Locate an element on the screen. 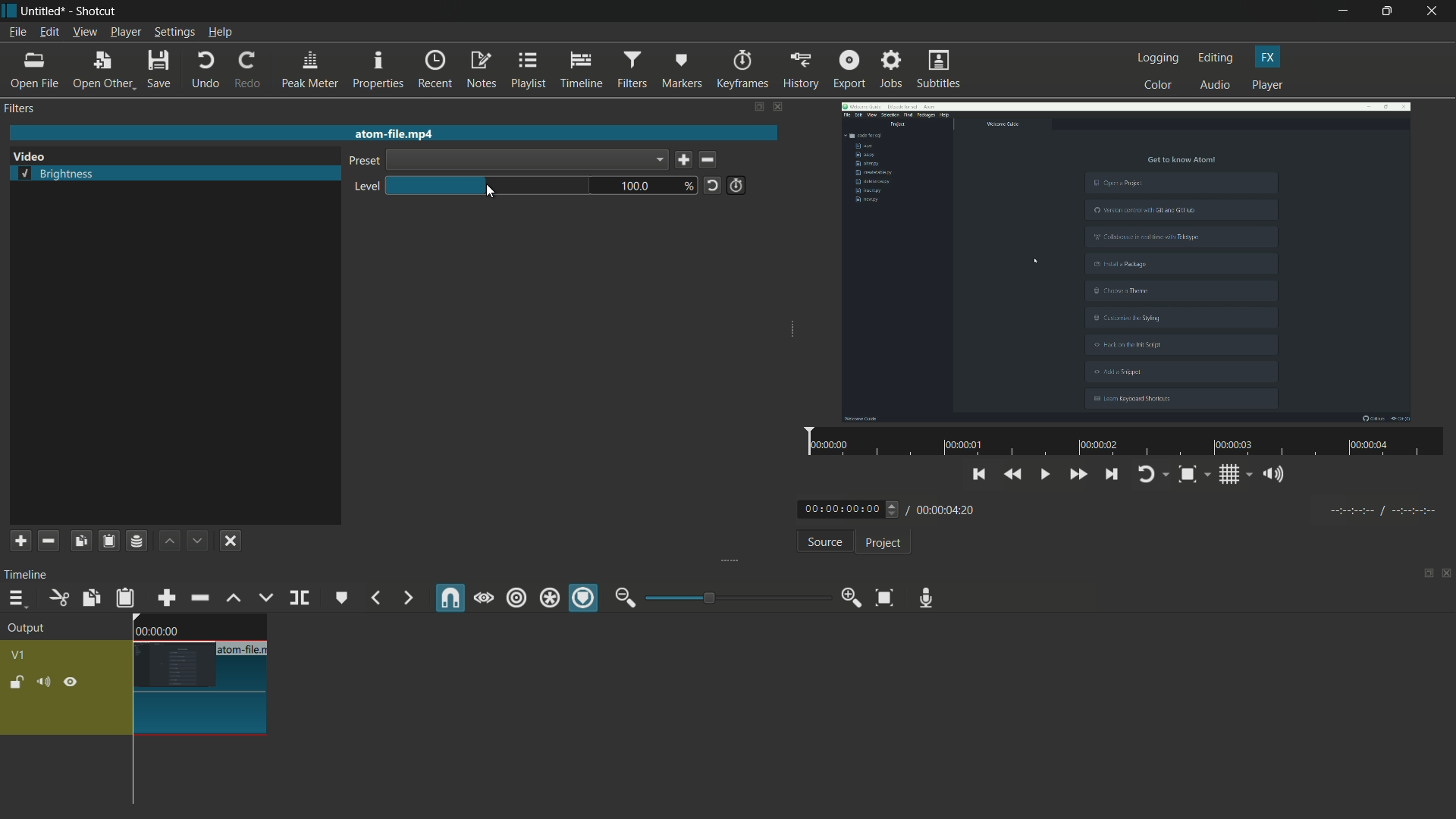 The width and height of the screenshot is (1456, 819). export is located at coordinates (848, 69).